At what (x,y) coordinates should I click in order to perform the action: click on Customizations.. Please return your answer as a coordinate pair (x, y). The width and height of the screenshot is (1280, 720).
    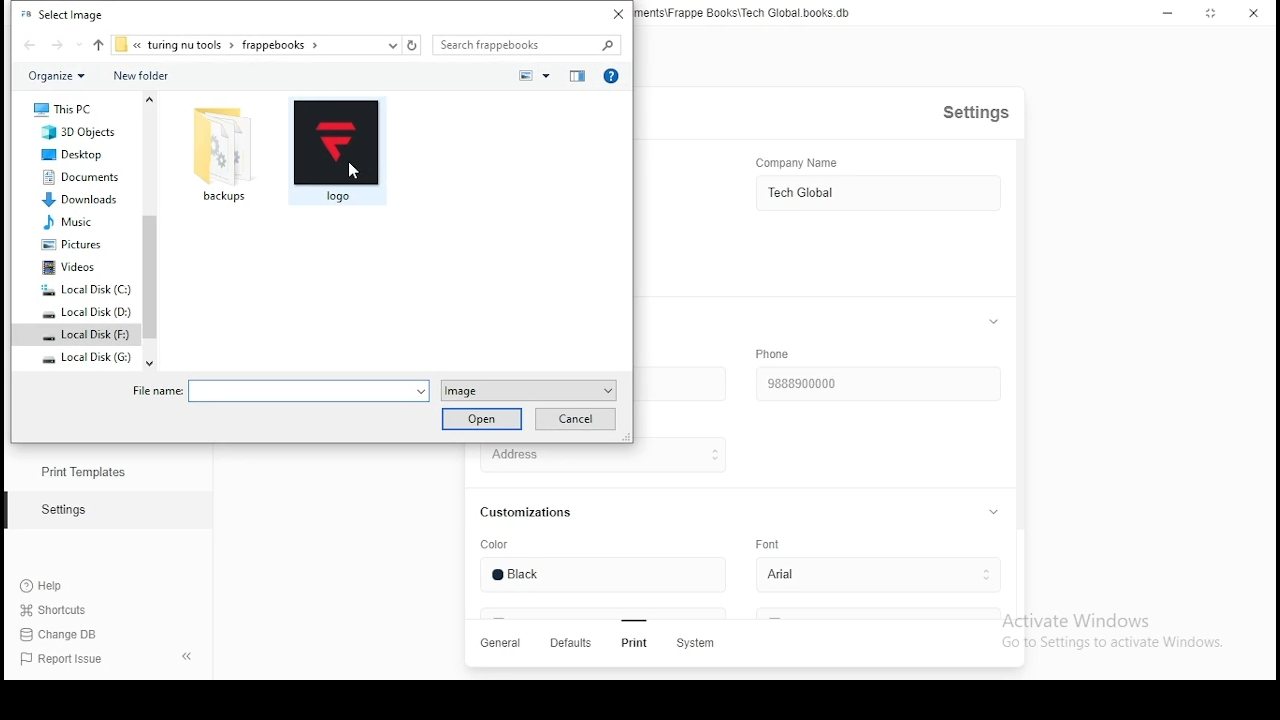
    Looking at the image, I should click on (536, 515).